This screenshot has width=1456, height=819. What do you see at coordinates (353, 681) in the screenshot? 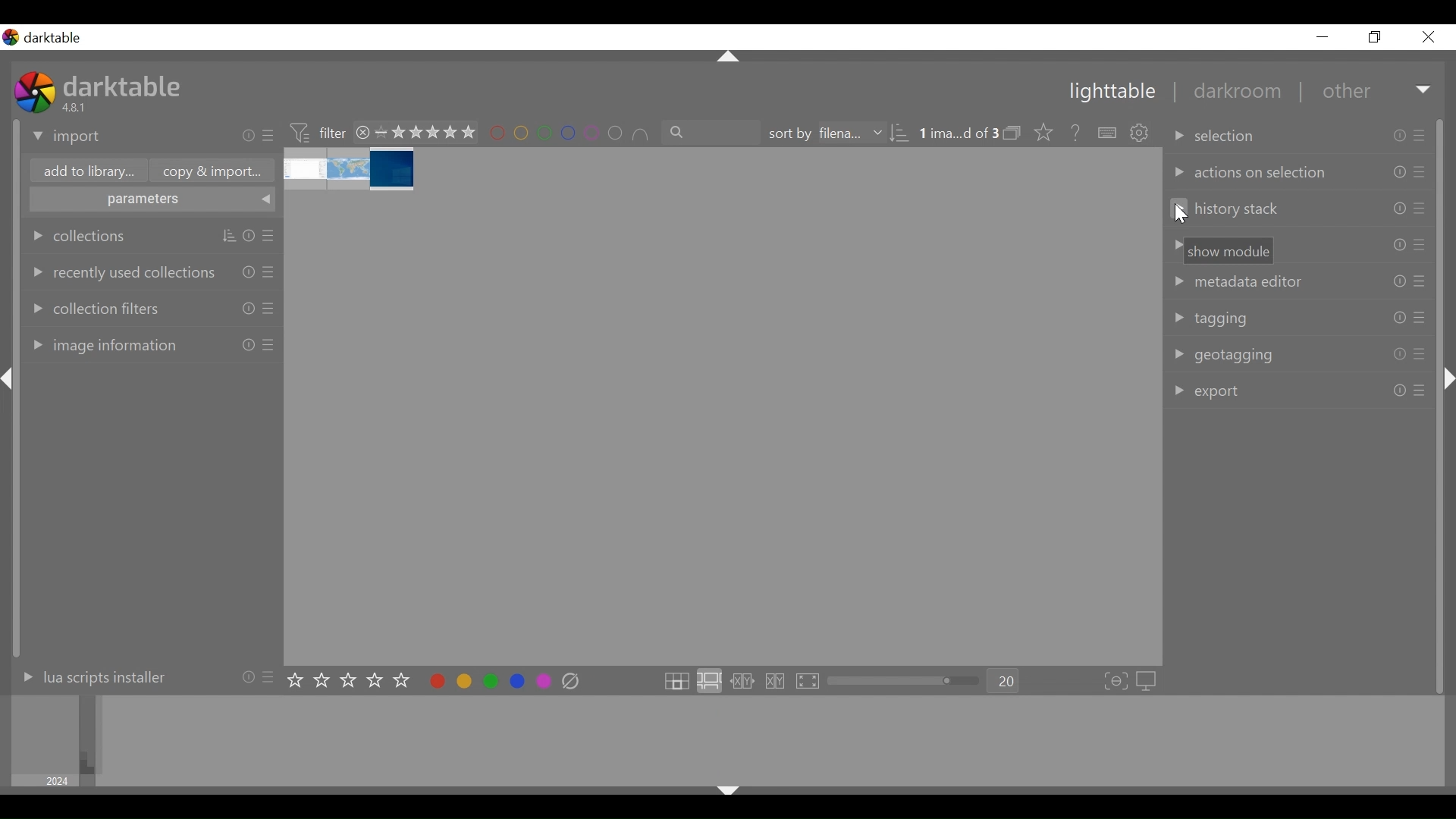
I see `set star rating` at bounding box center [353, 681].